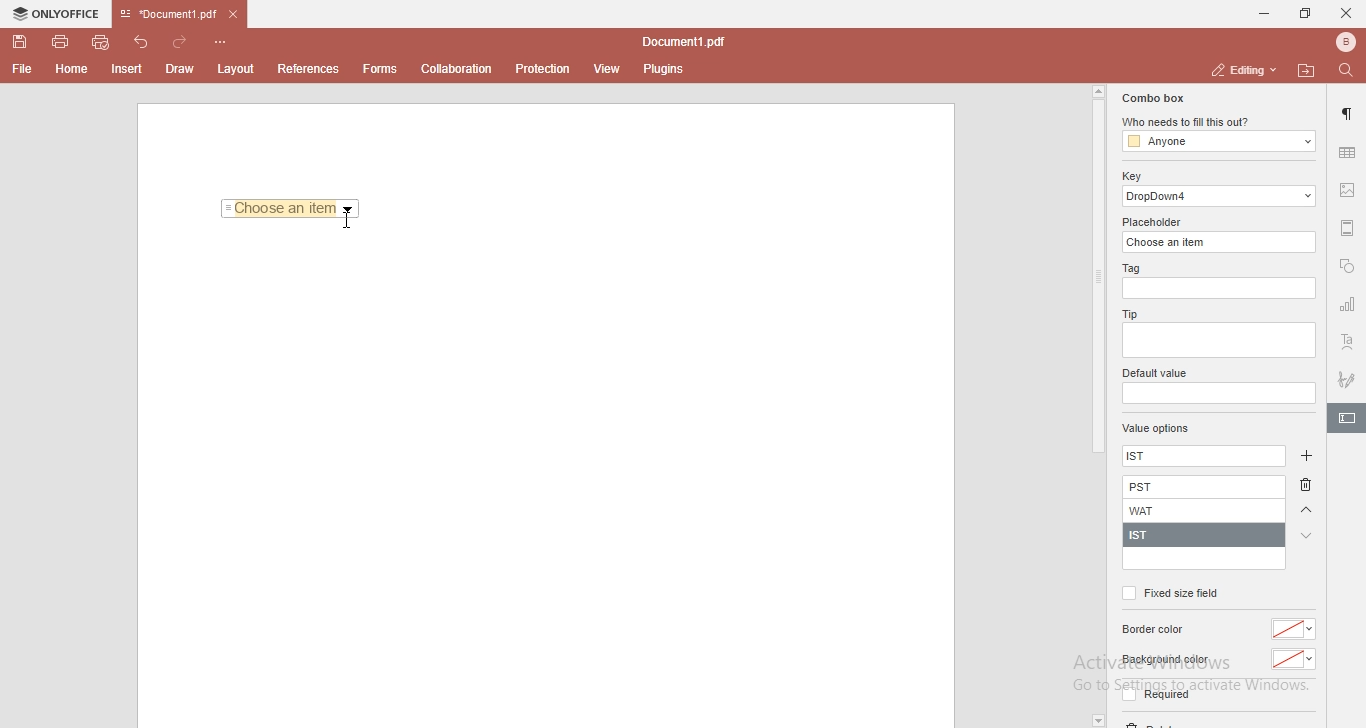 The image size is (1366, 728). What do you see at coordinates (1131, 176) in the screenshot?
I see `key` at bounding box center [1131, 176].